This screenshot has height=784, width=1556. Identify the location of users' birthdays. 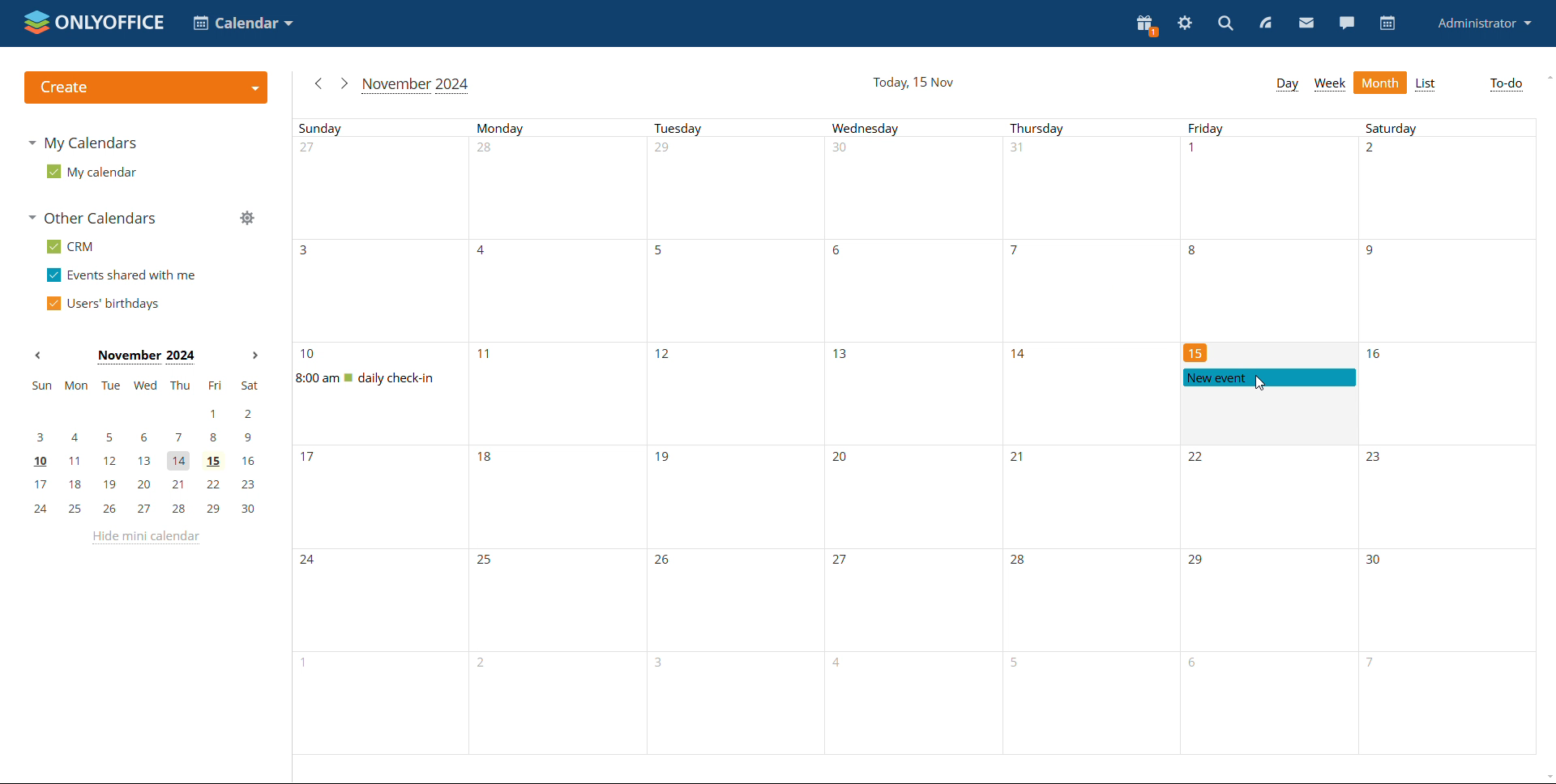
(101, 304).